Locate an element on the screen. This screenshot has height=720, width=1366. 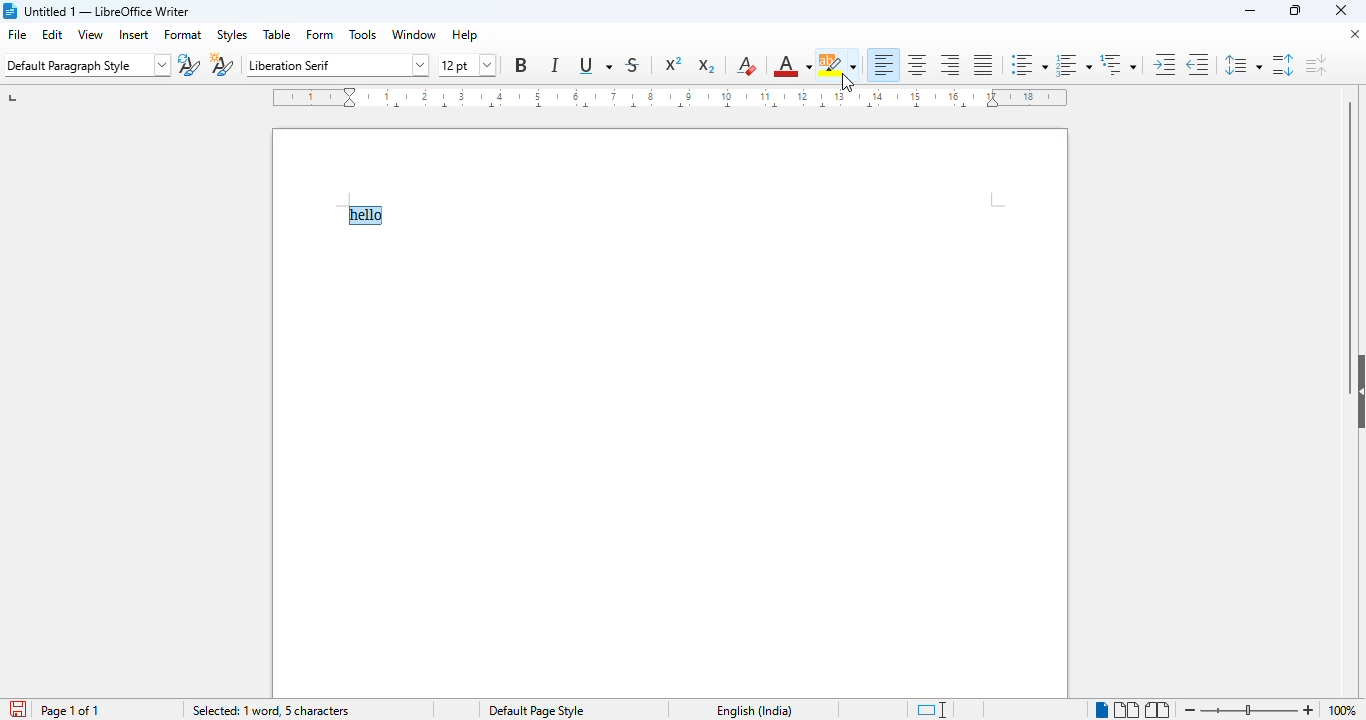
Default Paragraph Style is located at coordinates (81, 66).